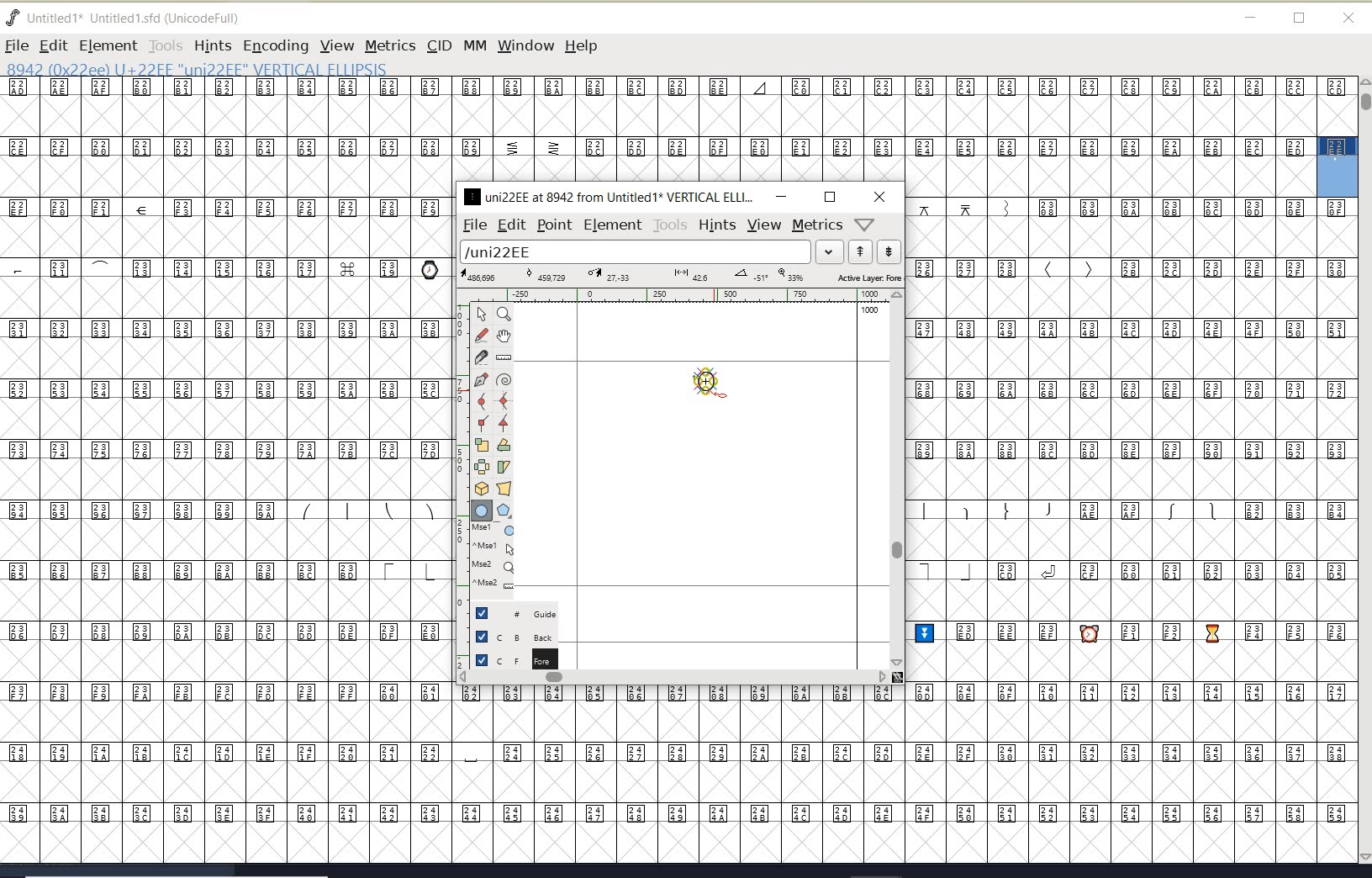 The image size is (1372, 878). I want to click on close, so click(1348, 19).